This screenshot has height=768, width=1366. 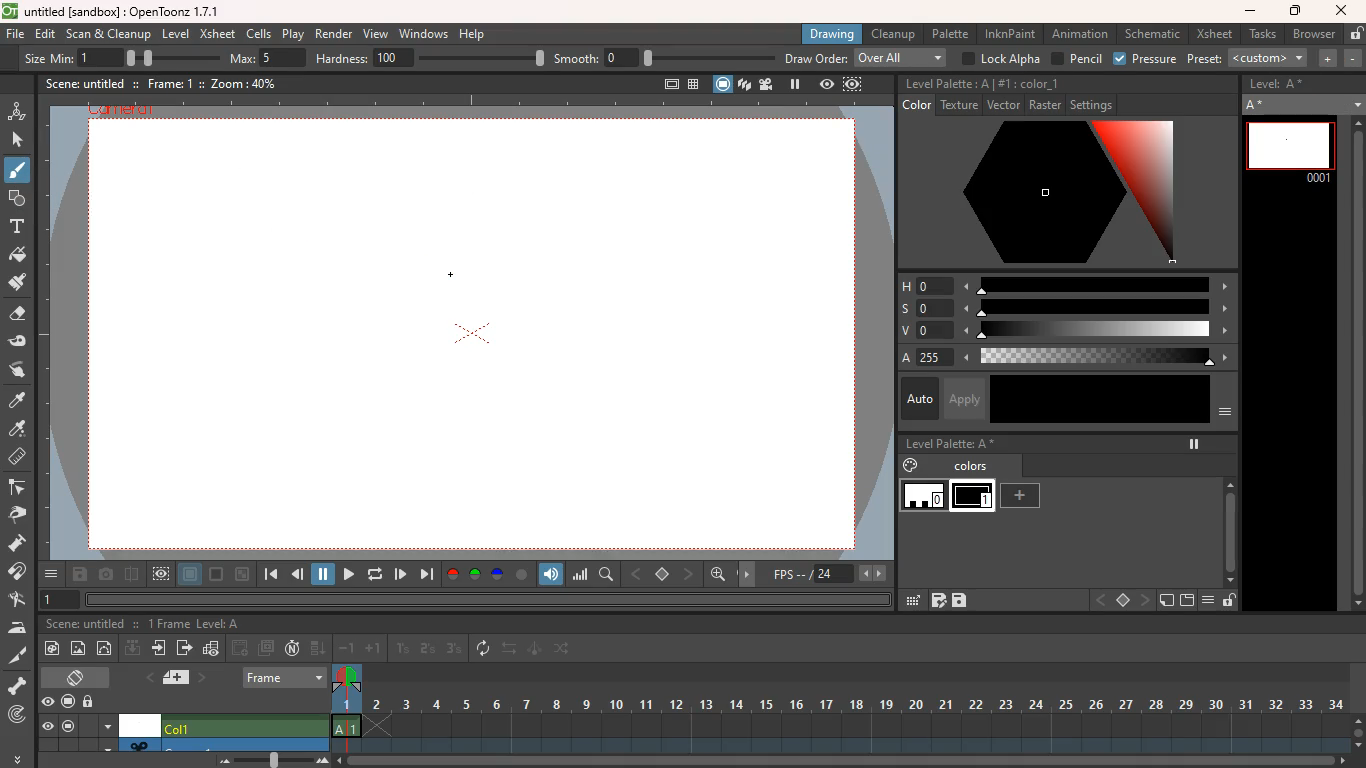 What do you see at coordinates (916, 398) in the screenshot?
I see `auto` at bounding box center [916, 398].